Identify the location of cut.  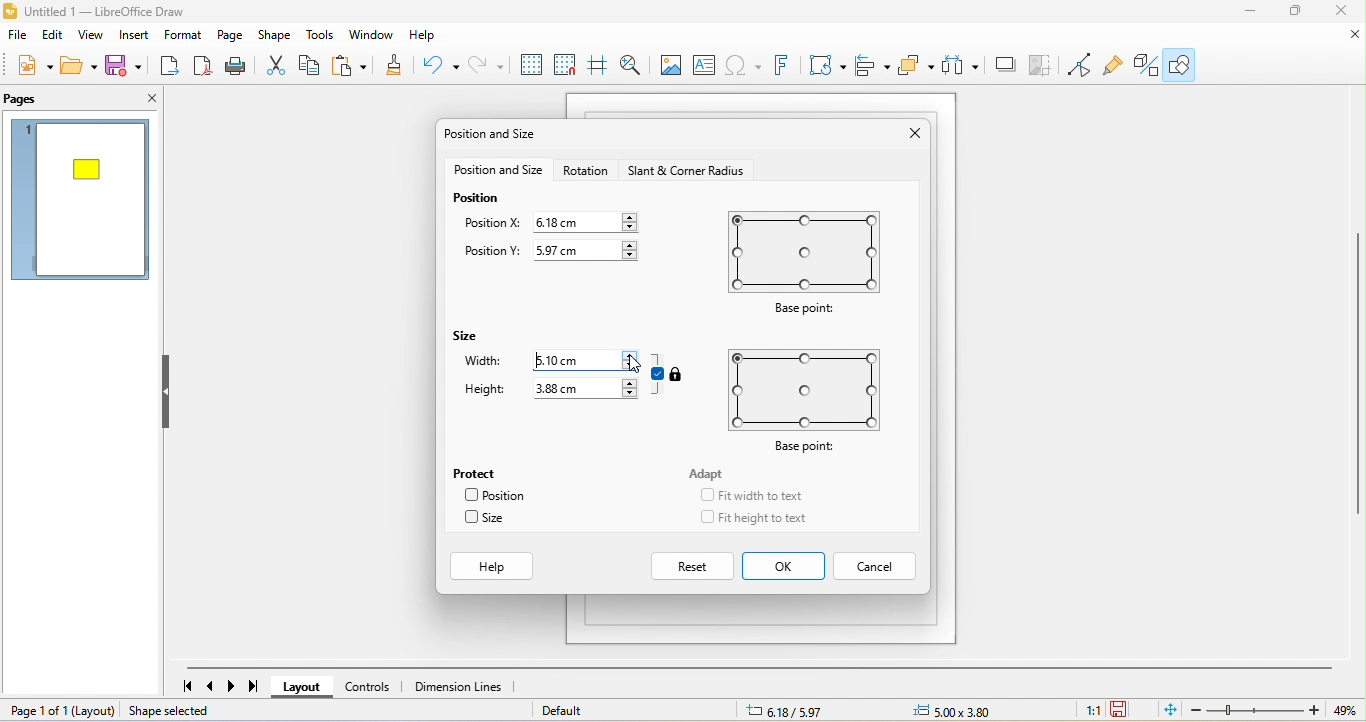
(275, 65).